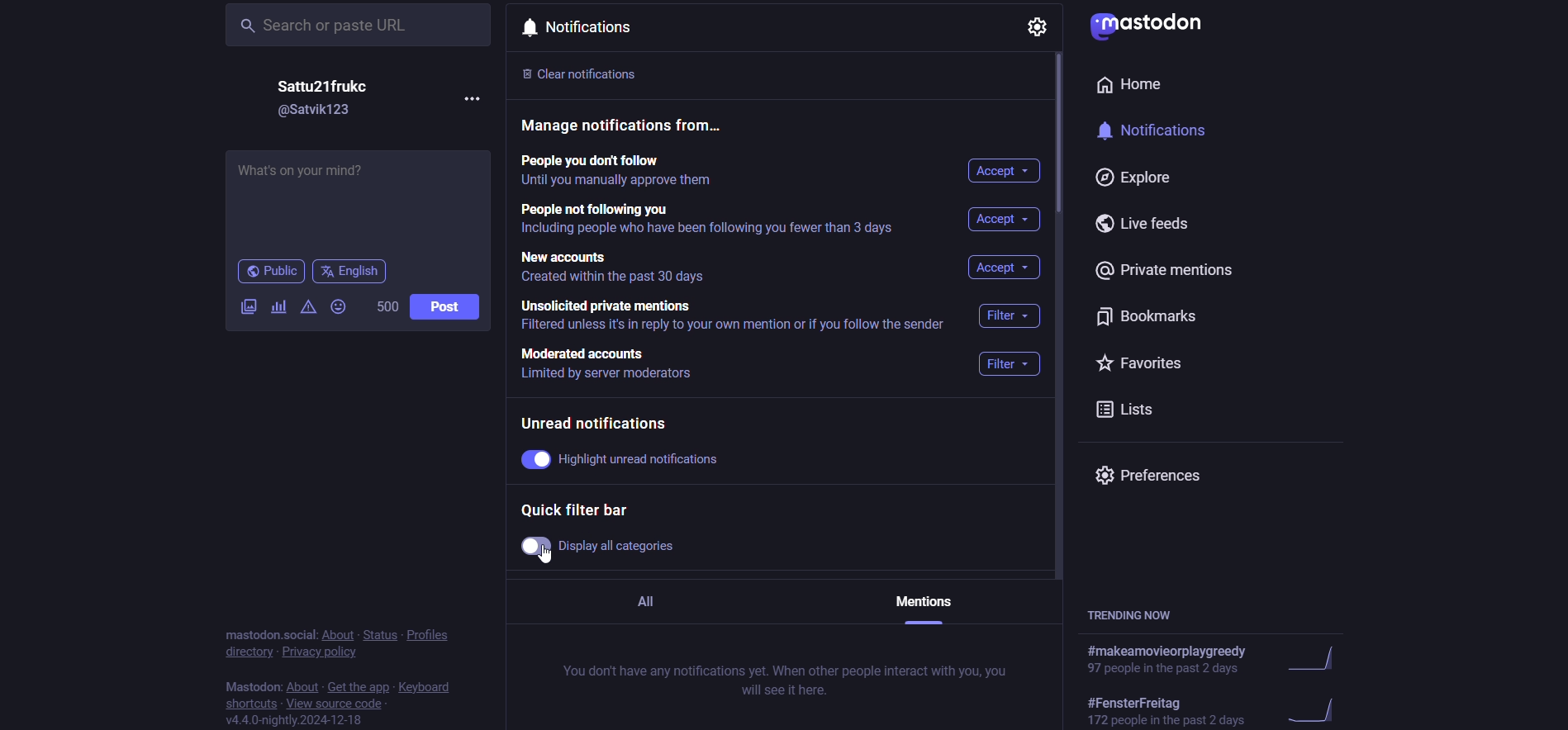 This screenshot has width=1568, height=730. I want to click on New accounts Created within the past 30 days, so click(620, 270).